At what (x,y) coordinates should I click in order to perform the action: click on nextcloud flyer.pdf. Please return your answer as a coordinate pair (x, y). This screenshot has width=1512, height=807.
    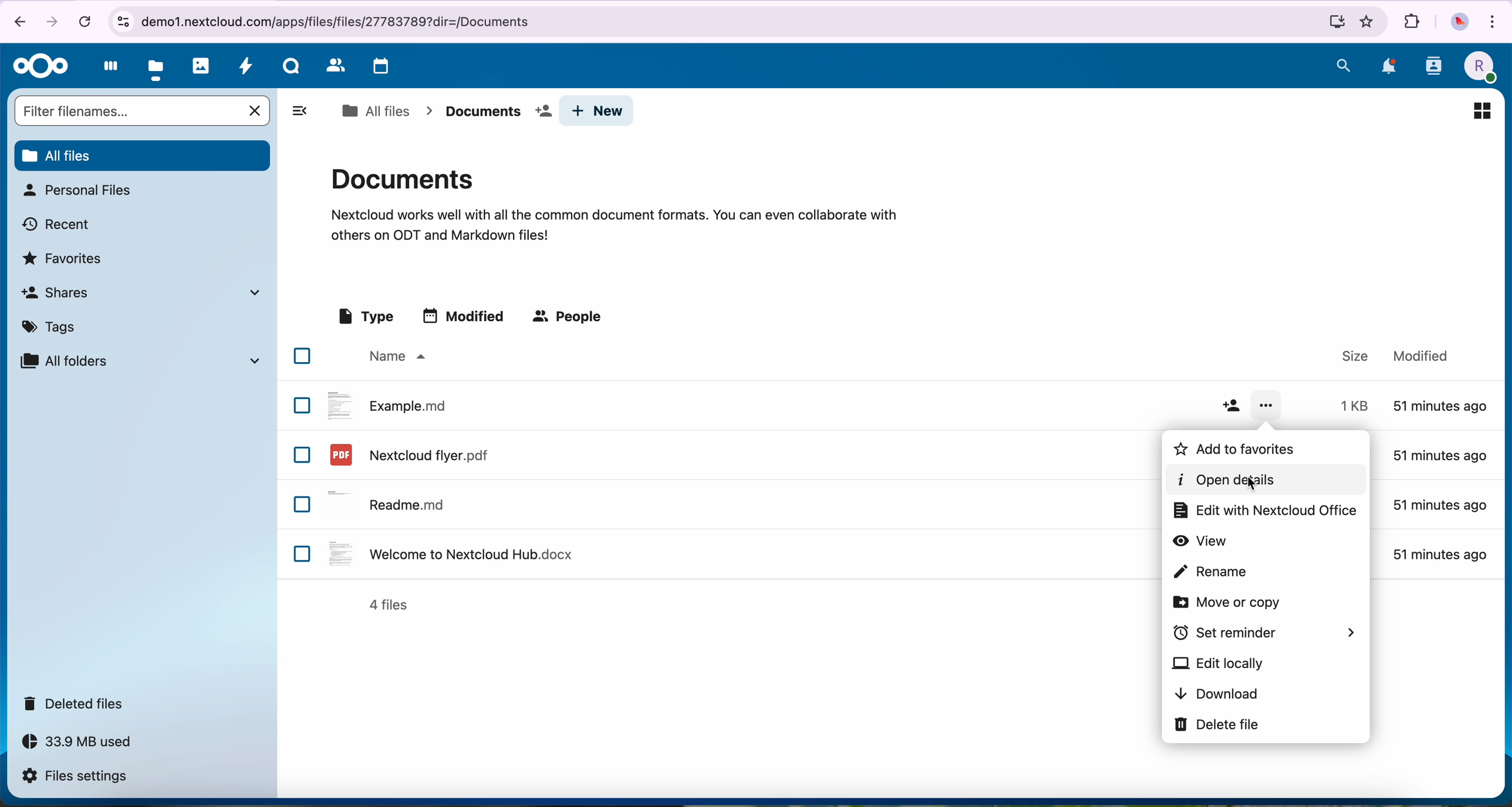
    Looking at the image, I should click on (407, 454).